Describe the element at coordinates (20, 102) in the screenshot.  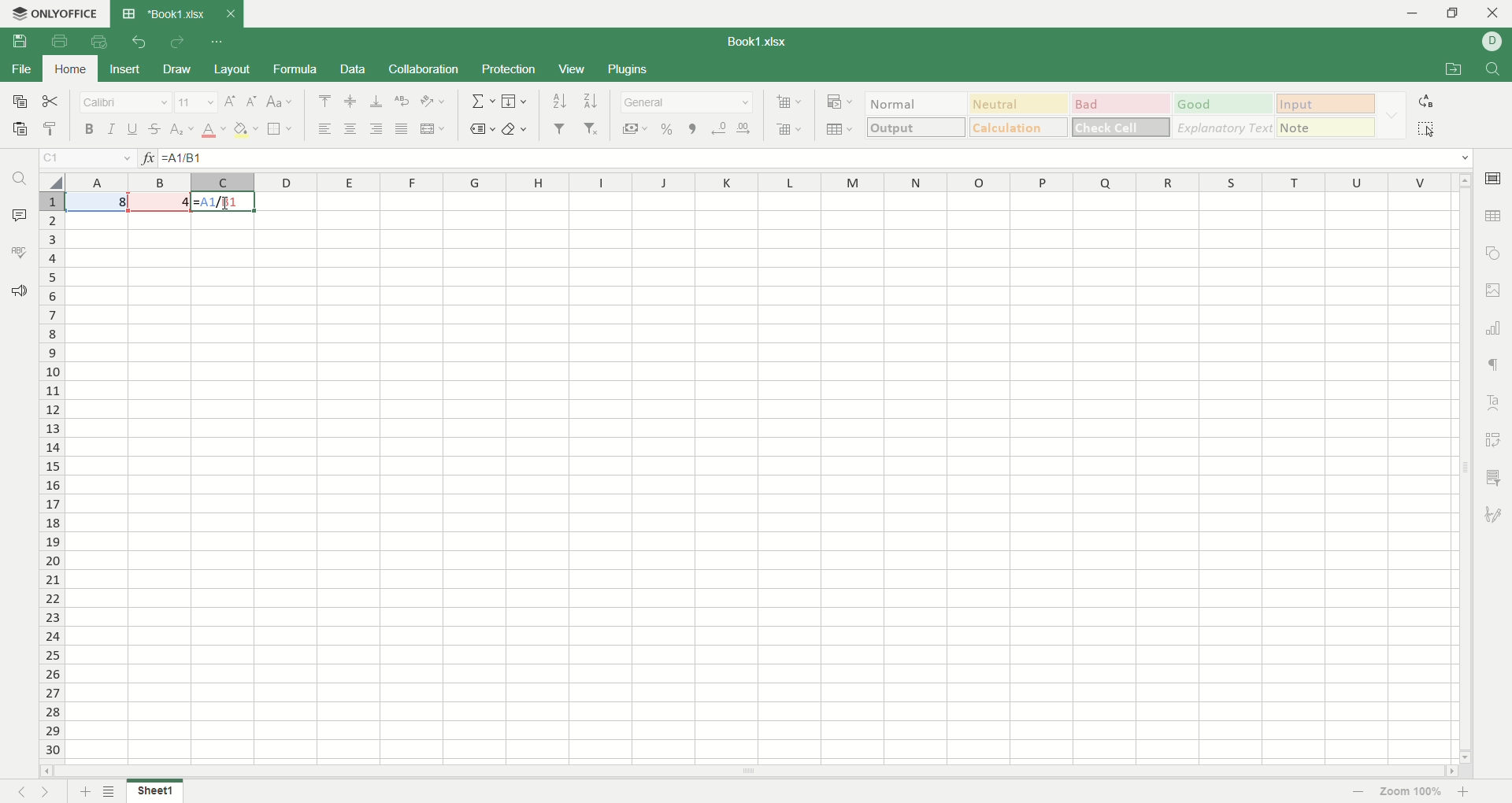
I see `copy` at that location.